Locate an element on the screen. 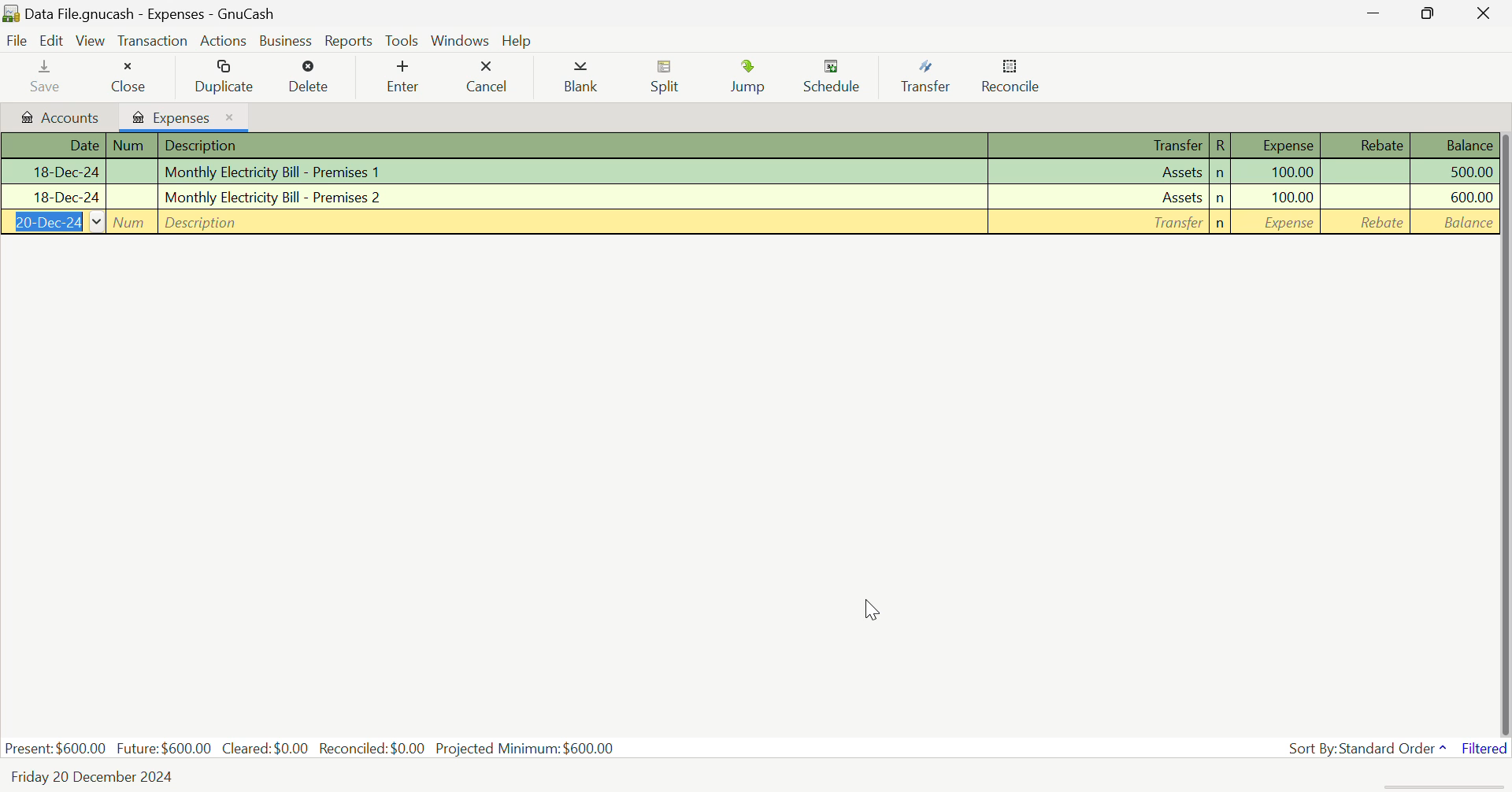 This screenshot has height=792, width=1512. Transfer is located at coordinates (1100, 146).